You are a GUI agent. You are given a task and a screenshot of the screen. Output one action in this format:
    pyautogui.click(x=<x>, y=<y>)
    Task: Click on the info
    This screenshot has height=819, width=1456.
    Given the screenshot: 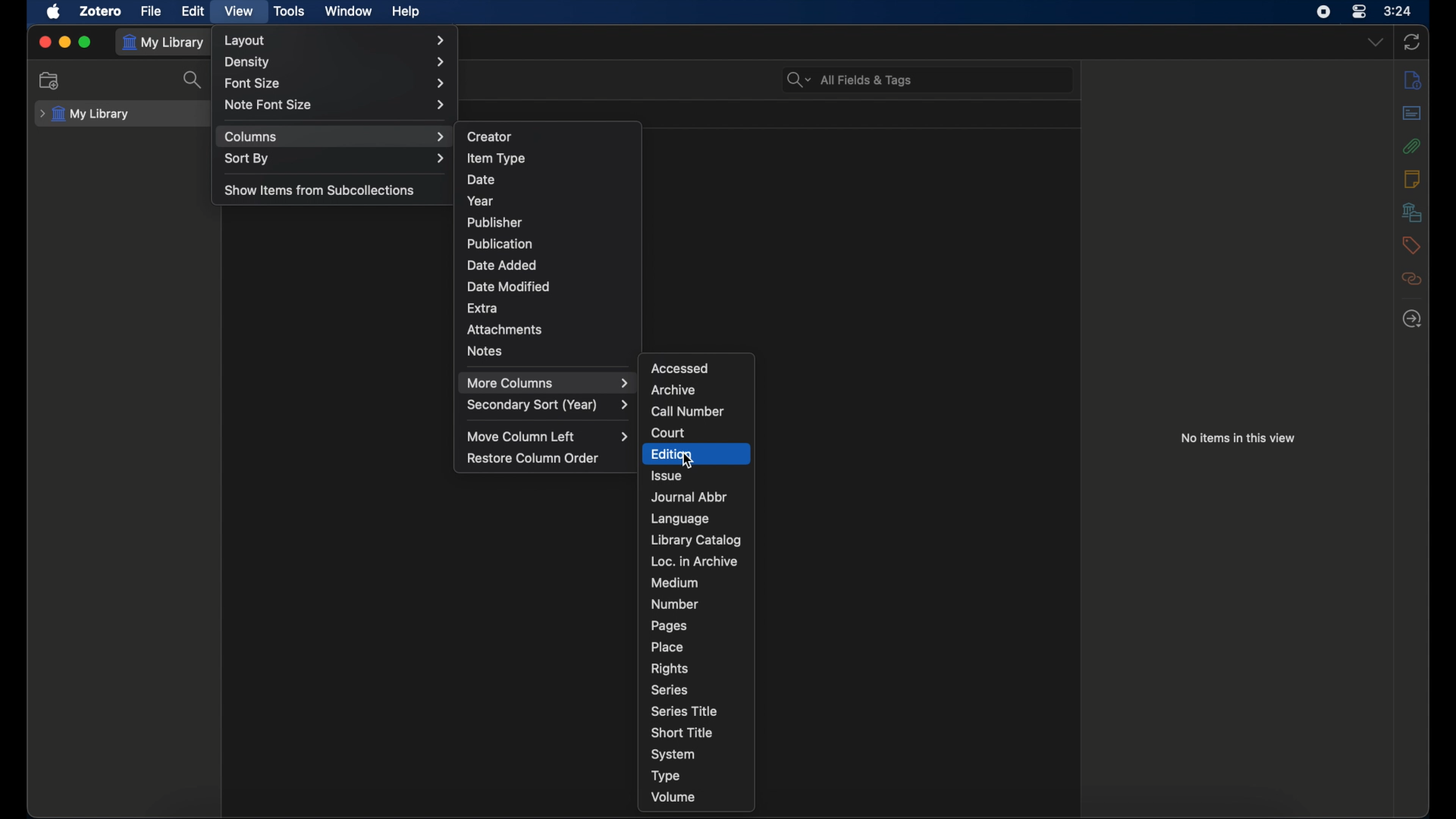 What is the action you would take?
    pyautogui.click(x=1414, y=79)
    